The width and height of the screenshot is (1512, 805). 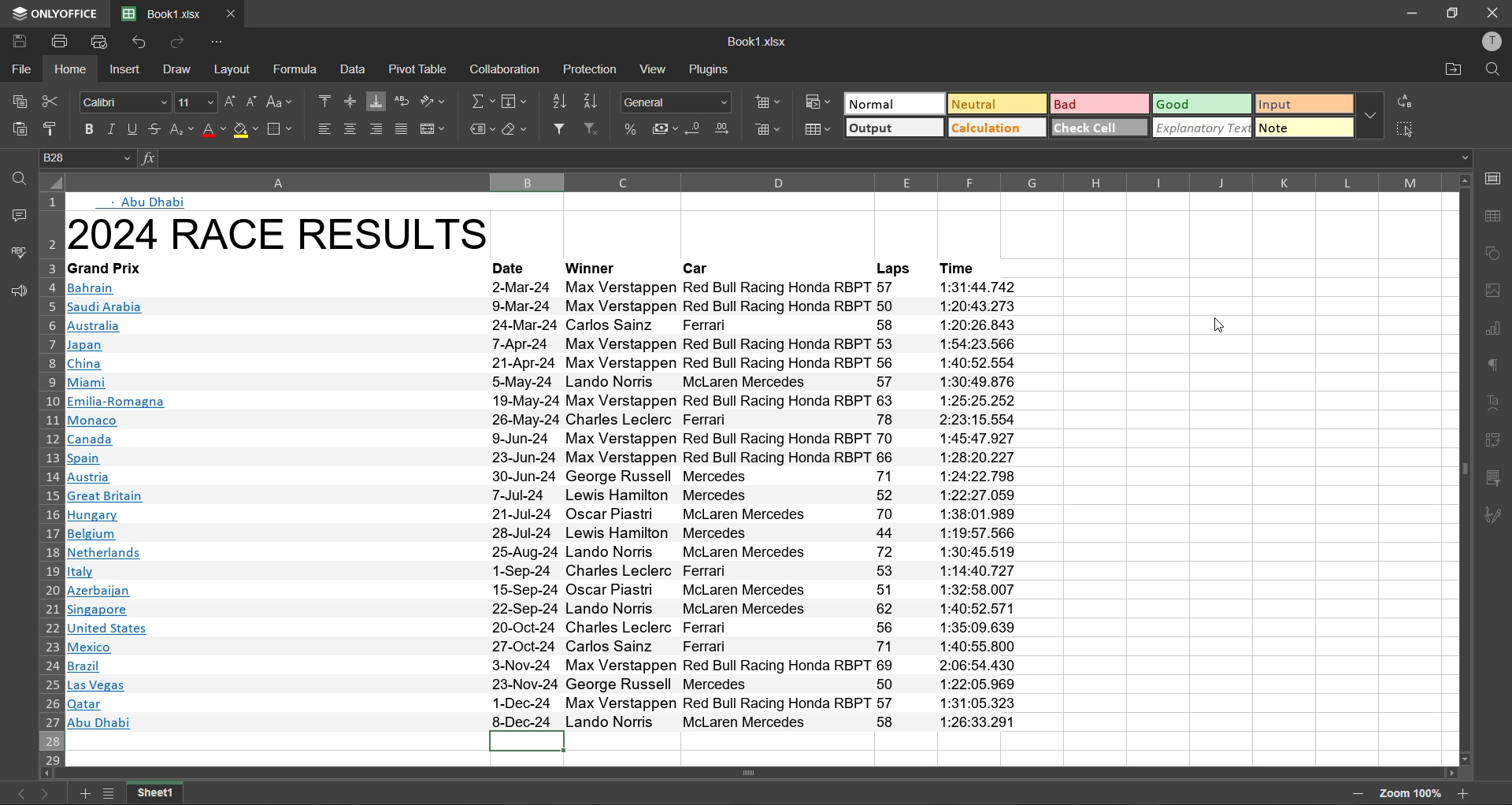 What do you see at coordinates (50, 480) in the screenshot?
I see `row numbers` at bounding box center [50, 480].